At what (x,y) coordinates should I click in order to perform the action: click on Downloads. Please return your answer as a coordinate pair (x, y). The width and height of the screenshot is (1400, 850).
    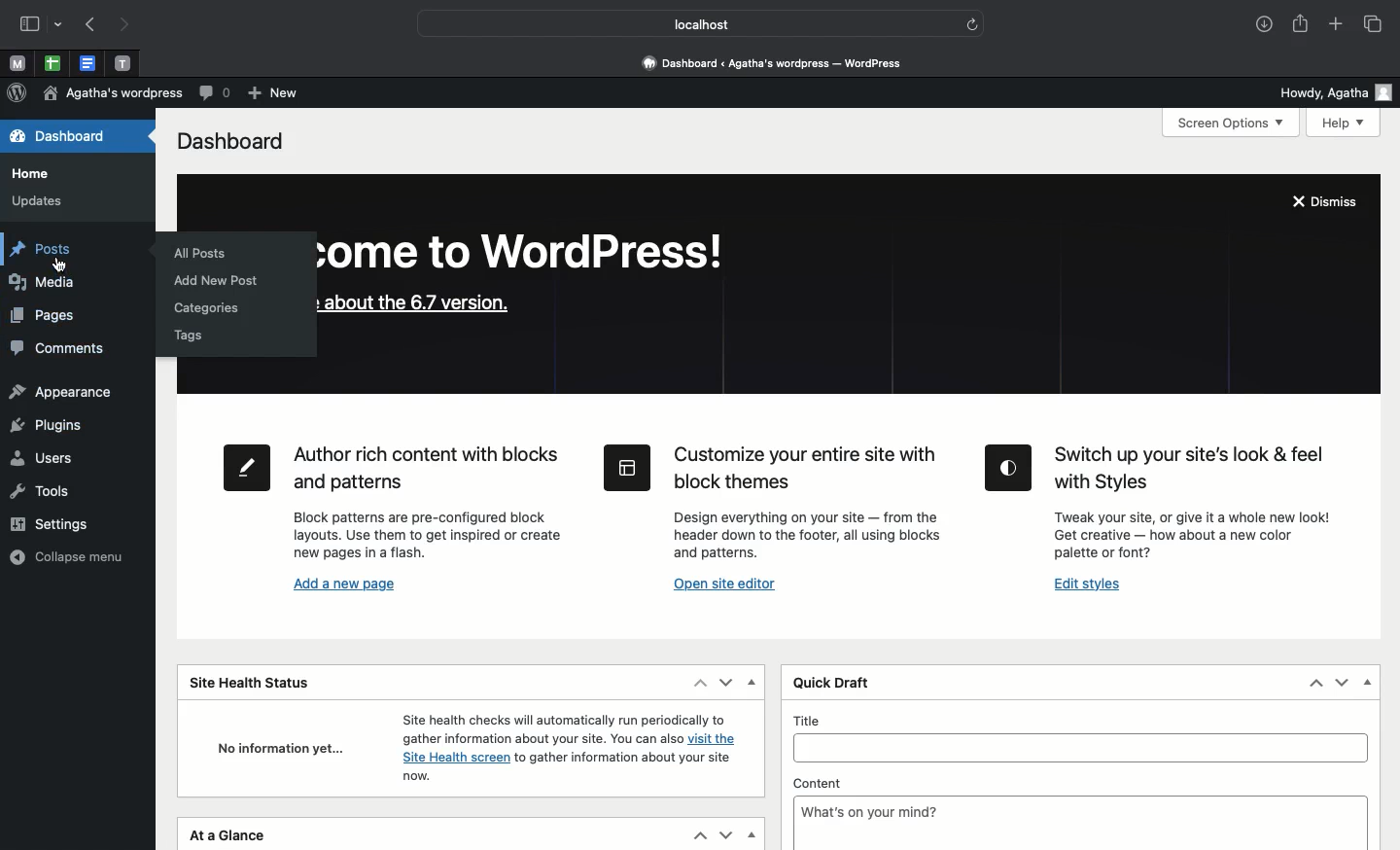
    Looking at the image, I should click on (1261, 25).